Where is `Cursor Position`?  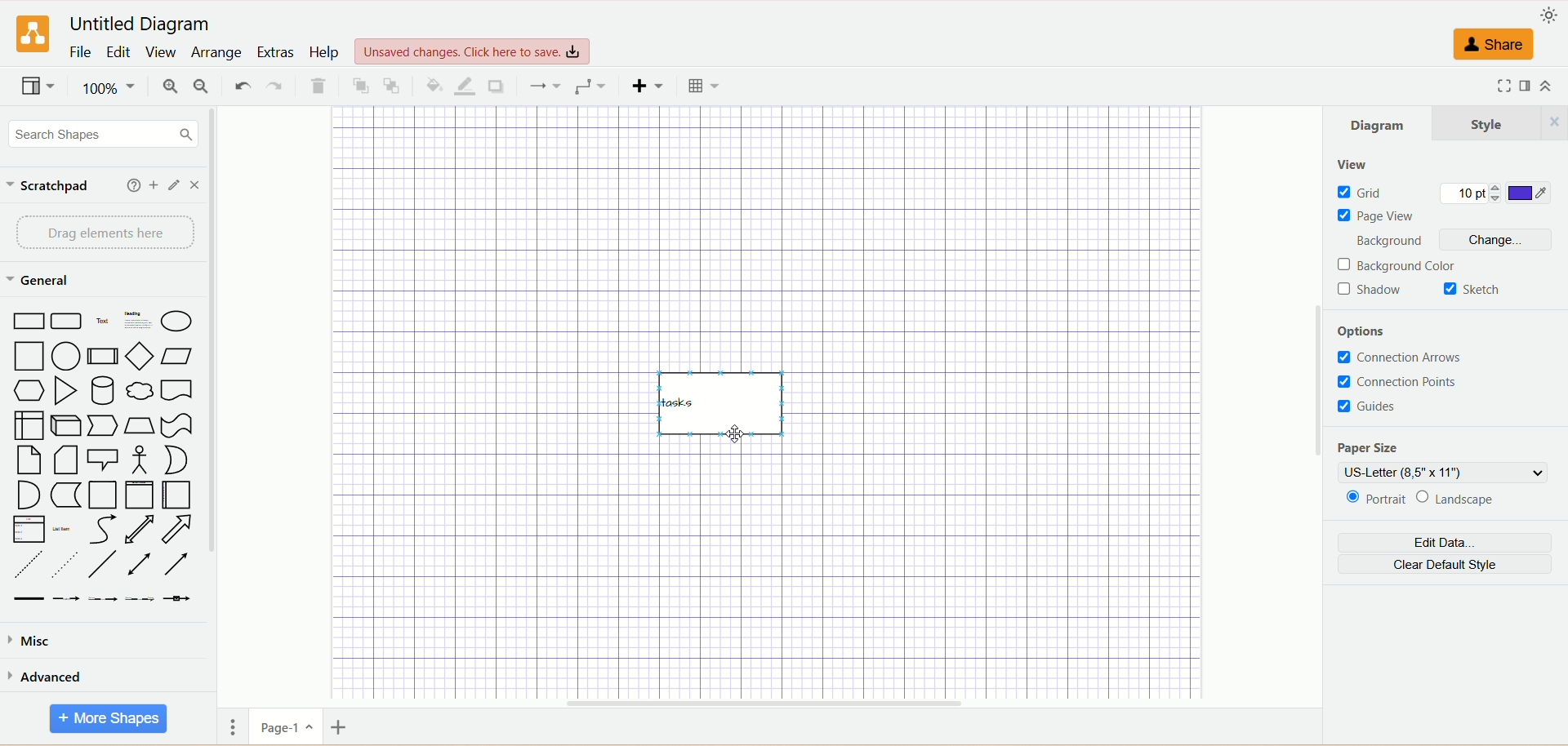
Cursor Position is located at coordinates (735, 437).